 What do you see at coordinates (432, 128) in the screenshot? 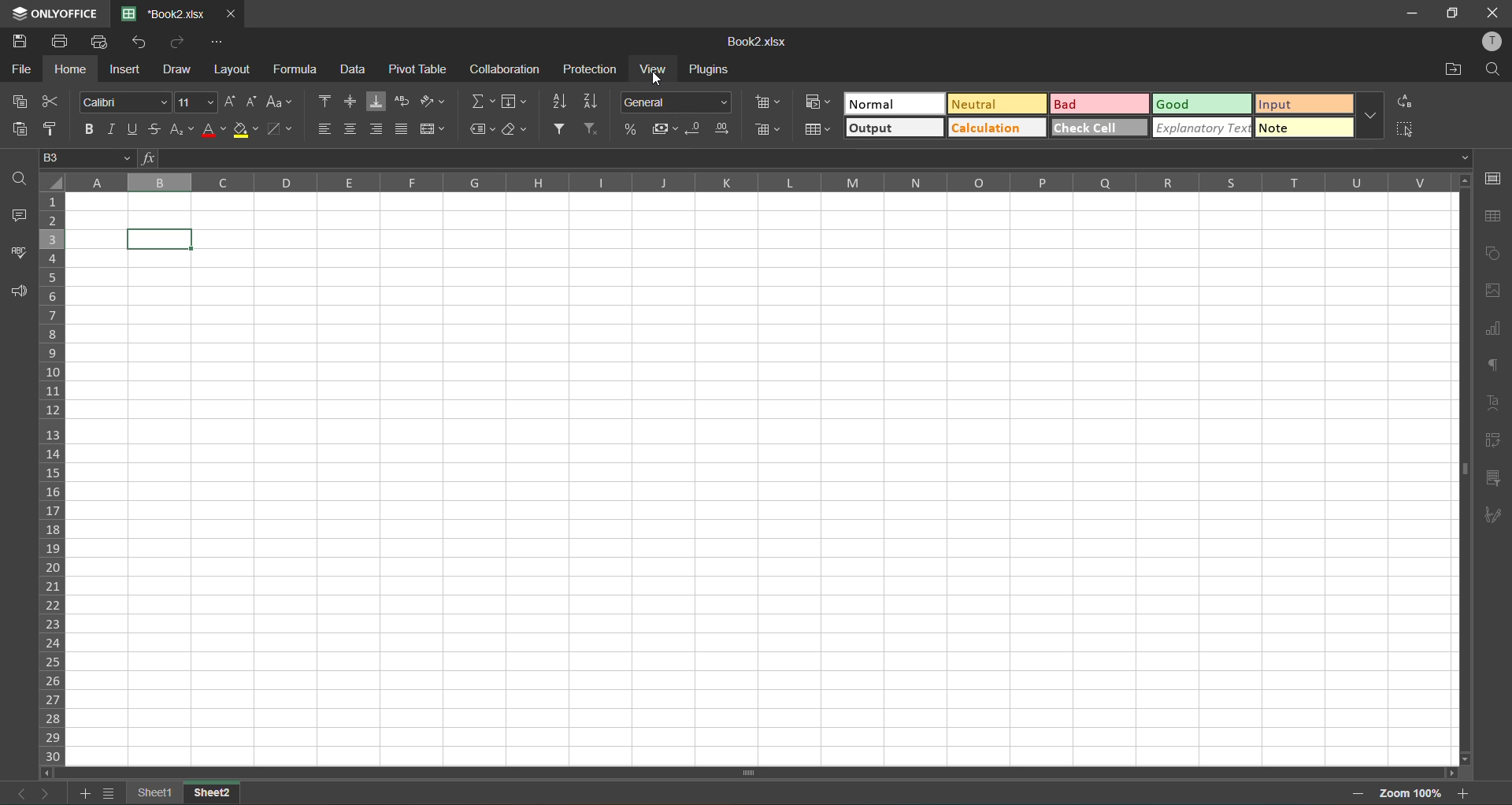
I see `merge and center` at bounding box center [432, 128].